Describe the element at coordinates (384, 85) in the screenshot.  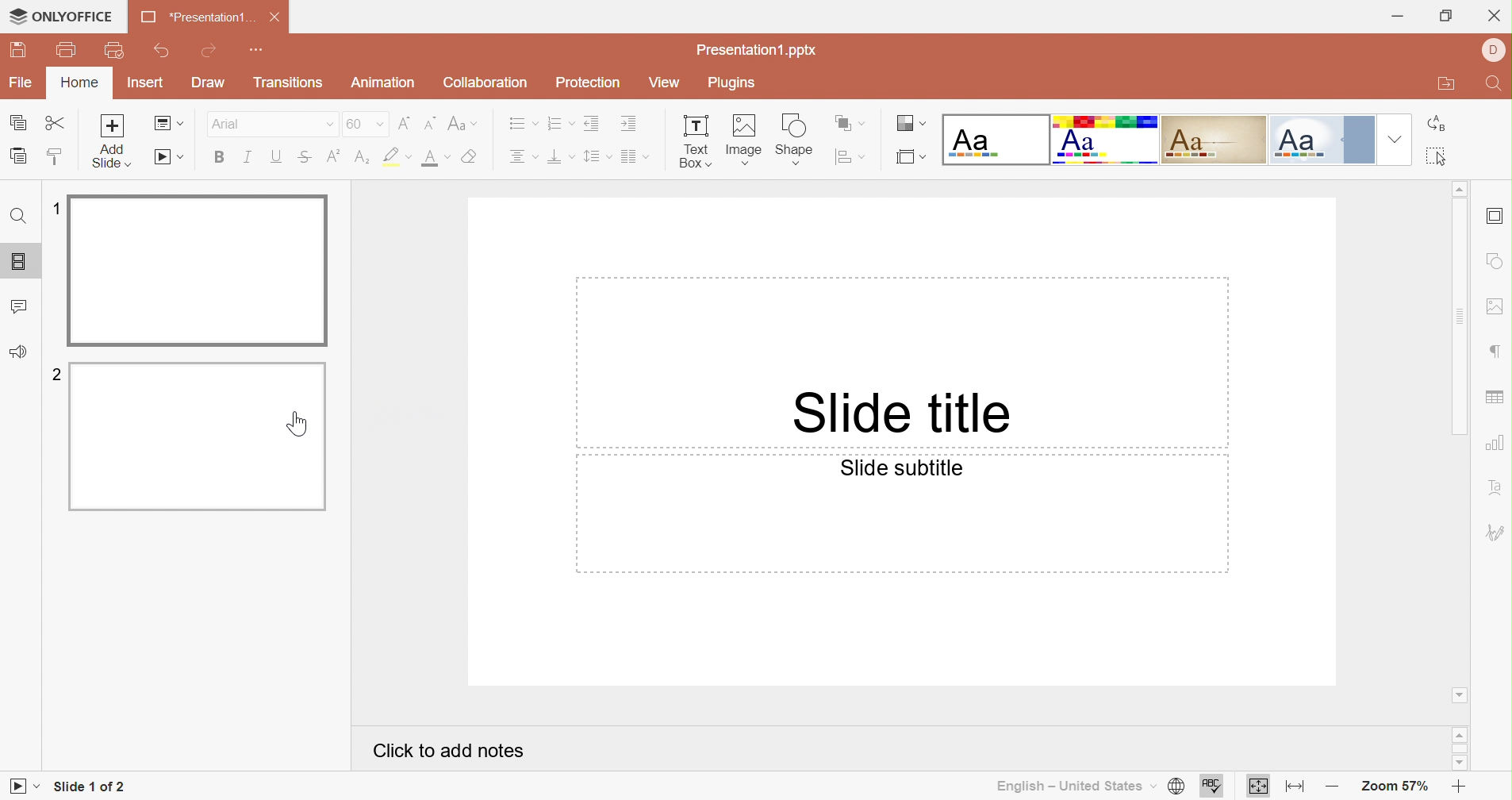
I see `Animation` at that location.